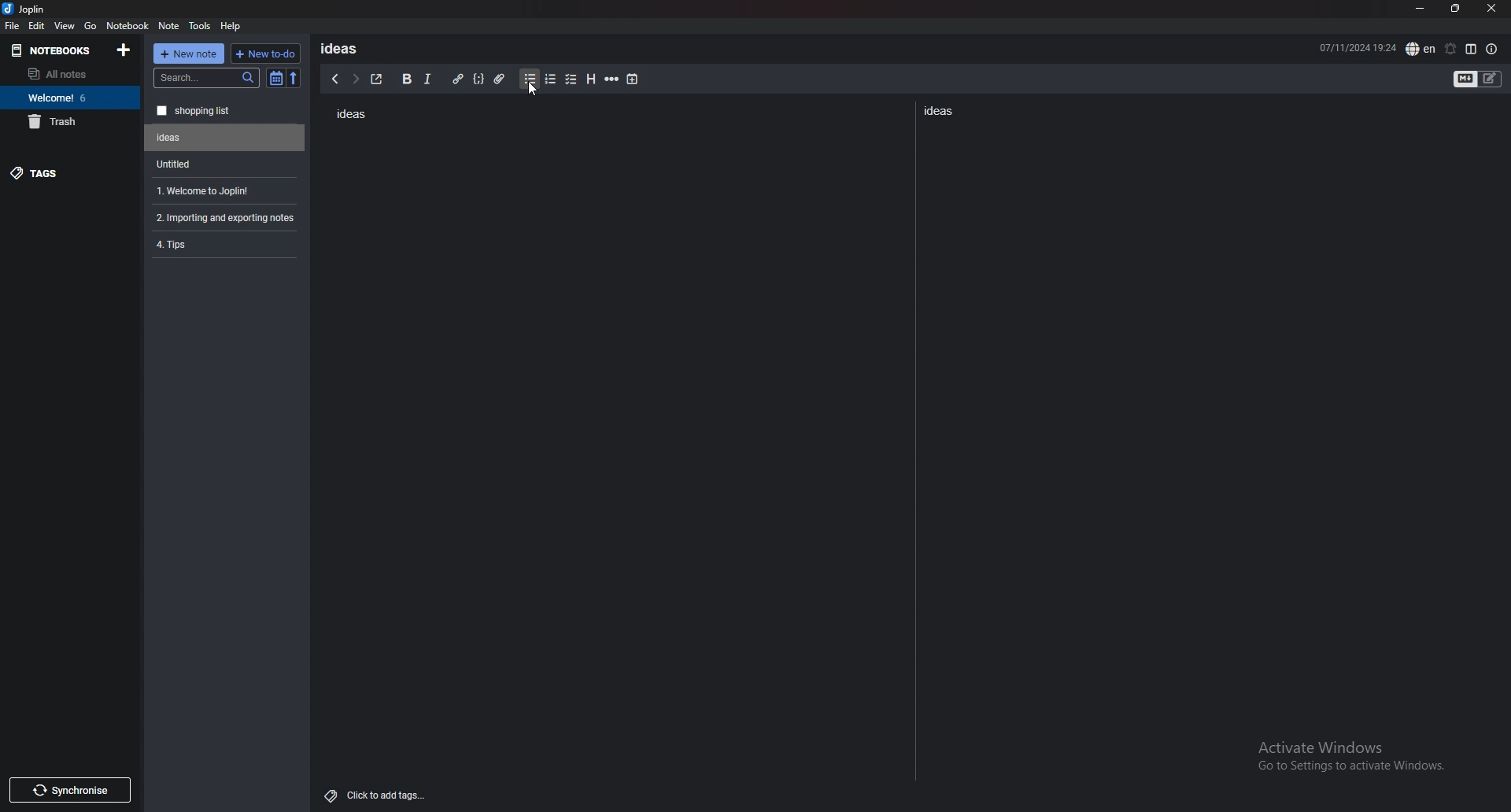 The width and height of the screenshot is (1511, 812). I want to click on Tips, so click(224, 243).